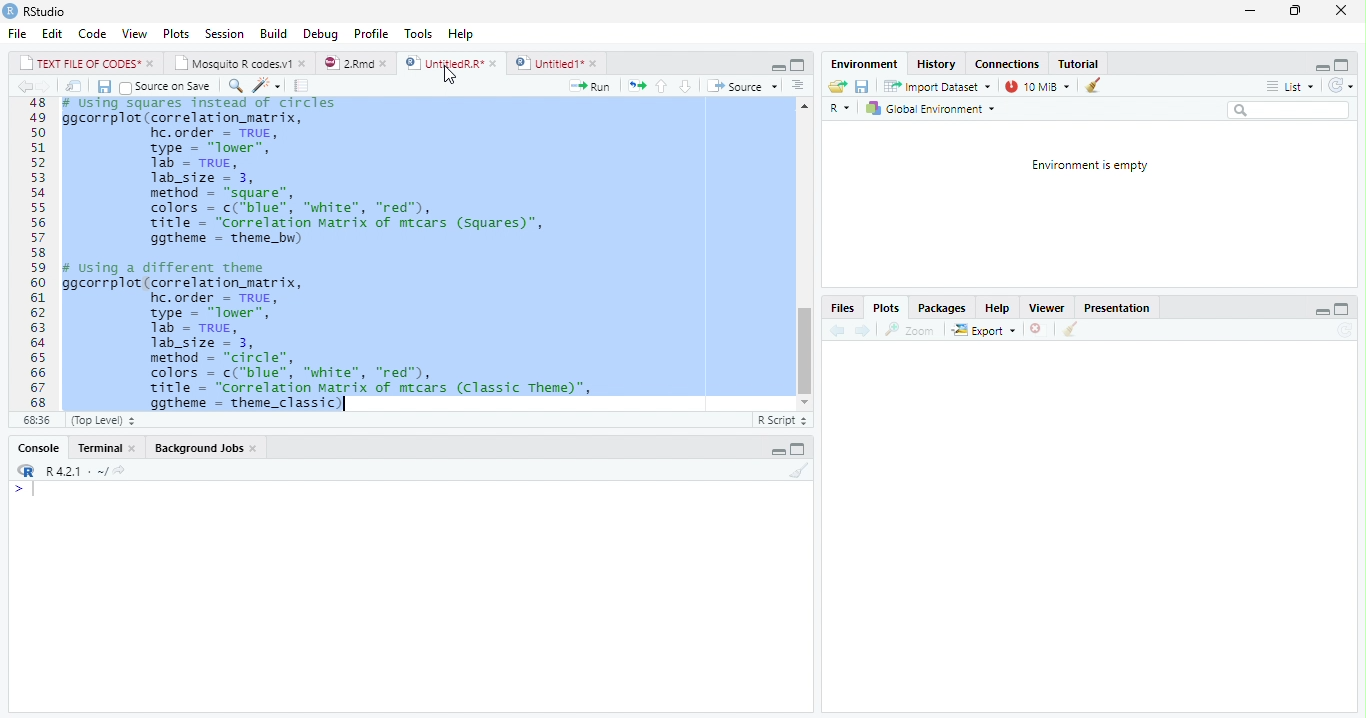  Describe the element at coordinates (15, 35) in the screenshot. I see `File` at that location.